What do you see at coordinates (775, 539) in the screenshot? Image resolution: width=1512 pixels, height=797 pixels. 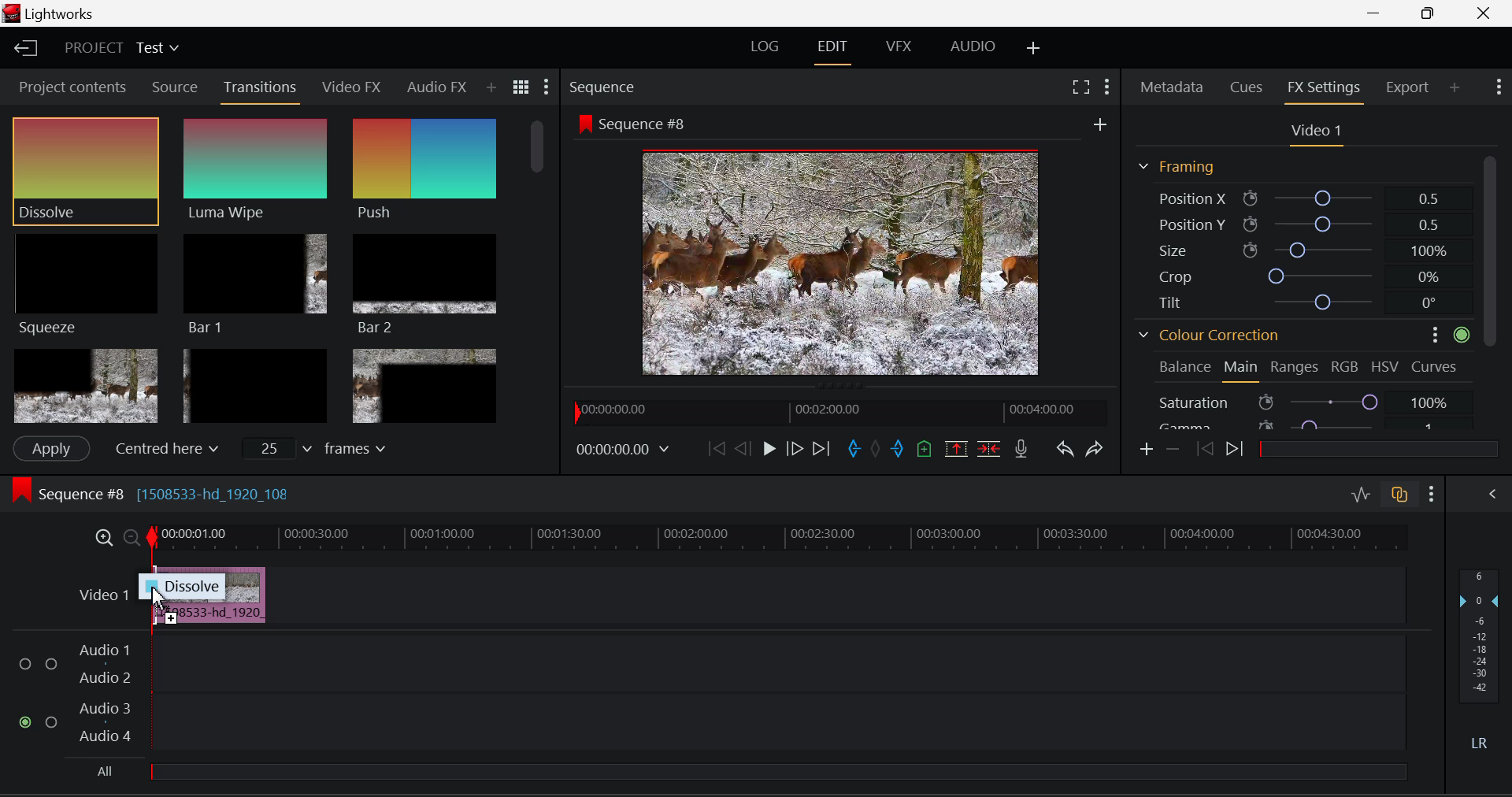 I see `Project Timeline` at bounding box center [775, 539].